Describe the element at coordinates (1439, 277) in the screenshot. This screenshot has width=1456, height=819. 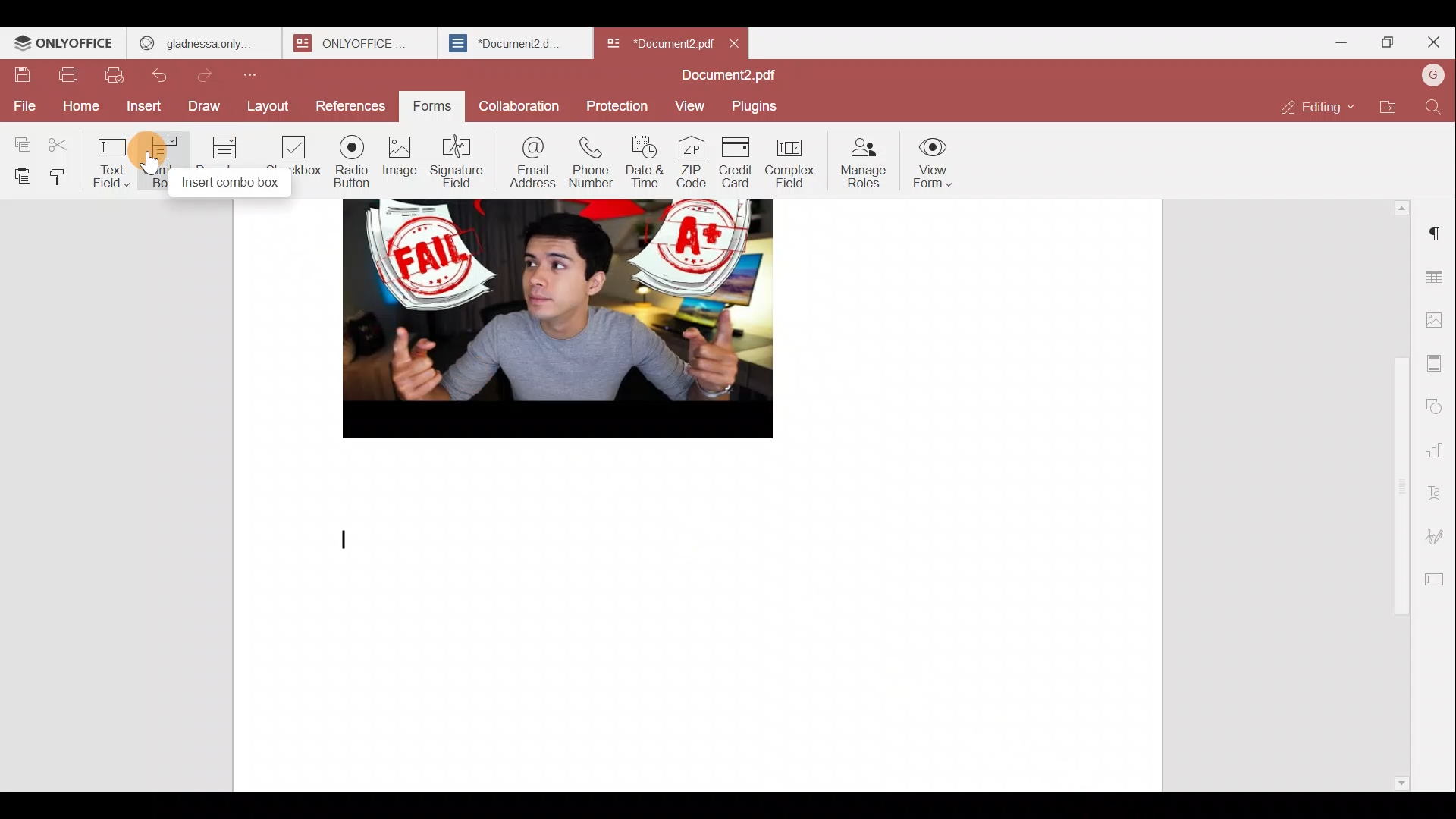
I see `Table settings` at that location.